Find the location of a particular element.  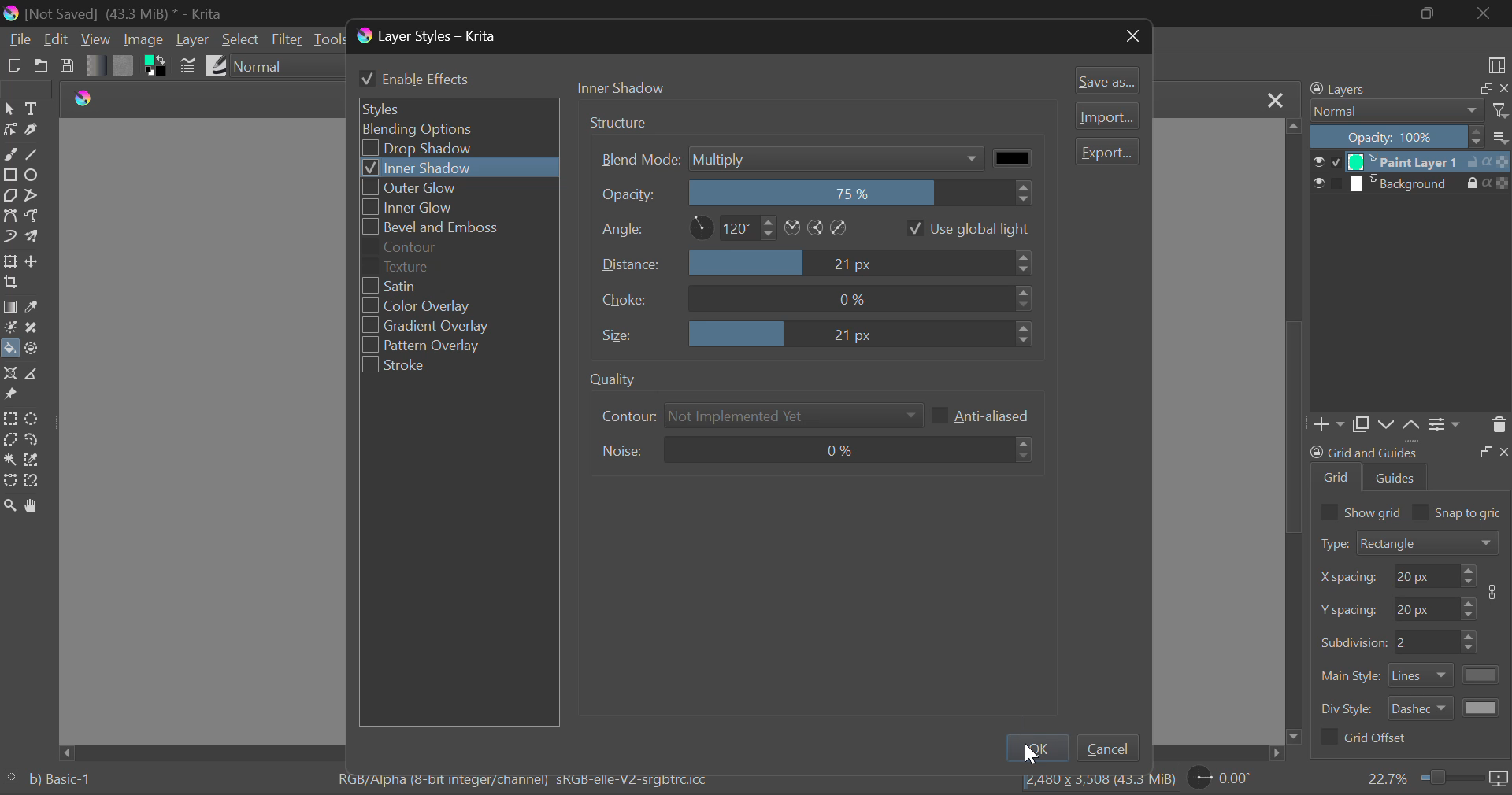

Select is located at coordinates (10, 109).